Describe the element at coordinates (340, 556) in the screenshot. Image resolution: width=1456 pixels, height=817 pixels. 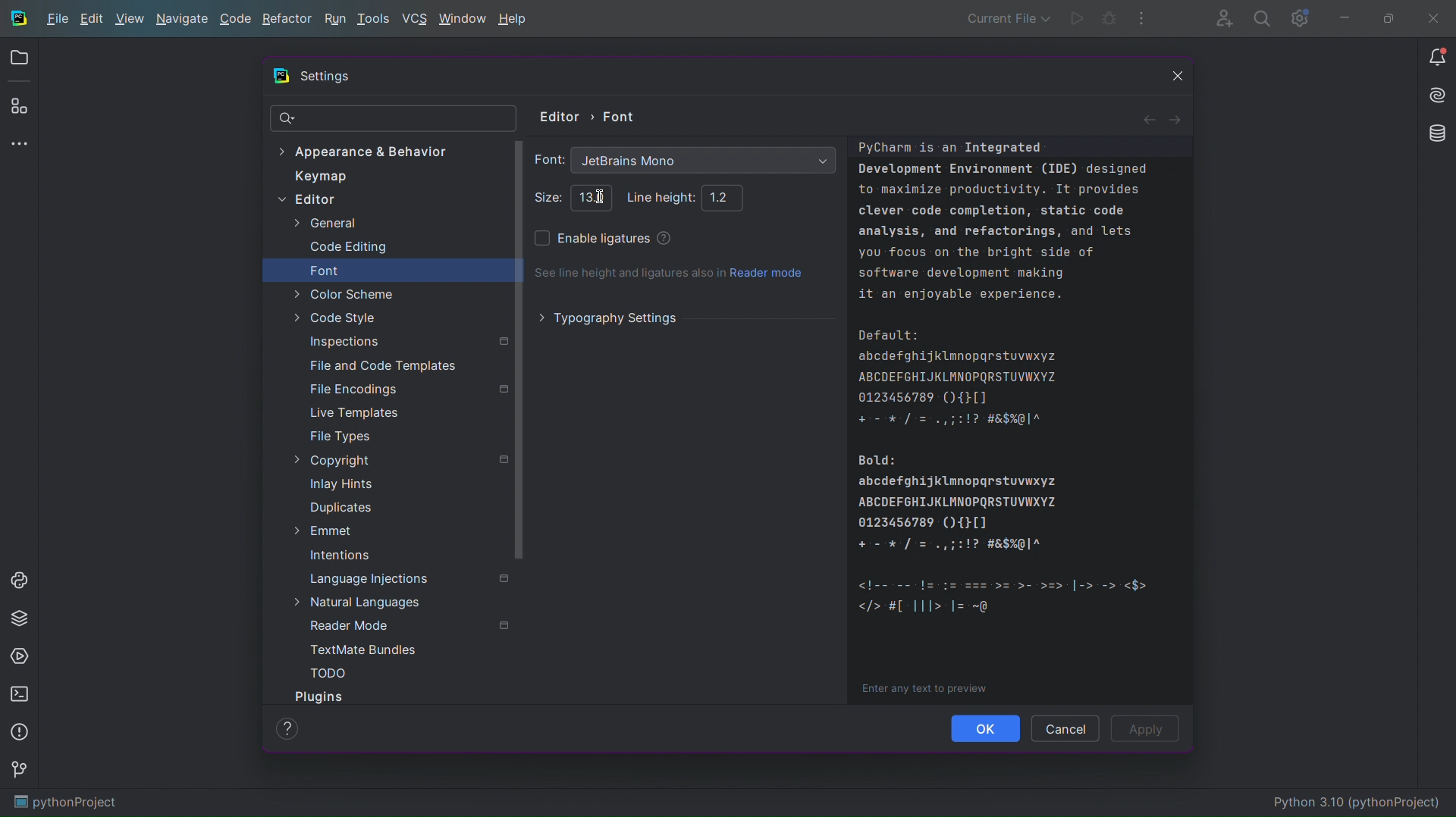
I see `Intentions` at that location.